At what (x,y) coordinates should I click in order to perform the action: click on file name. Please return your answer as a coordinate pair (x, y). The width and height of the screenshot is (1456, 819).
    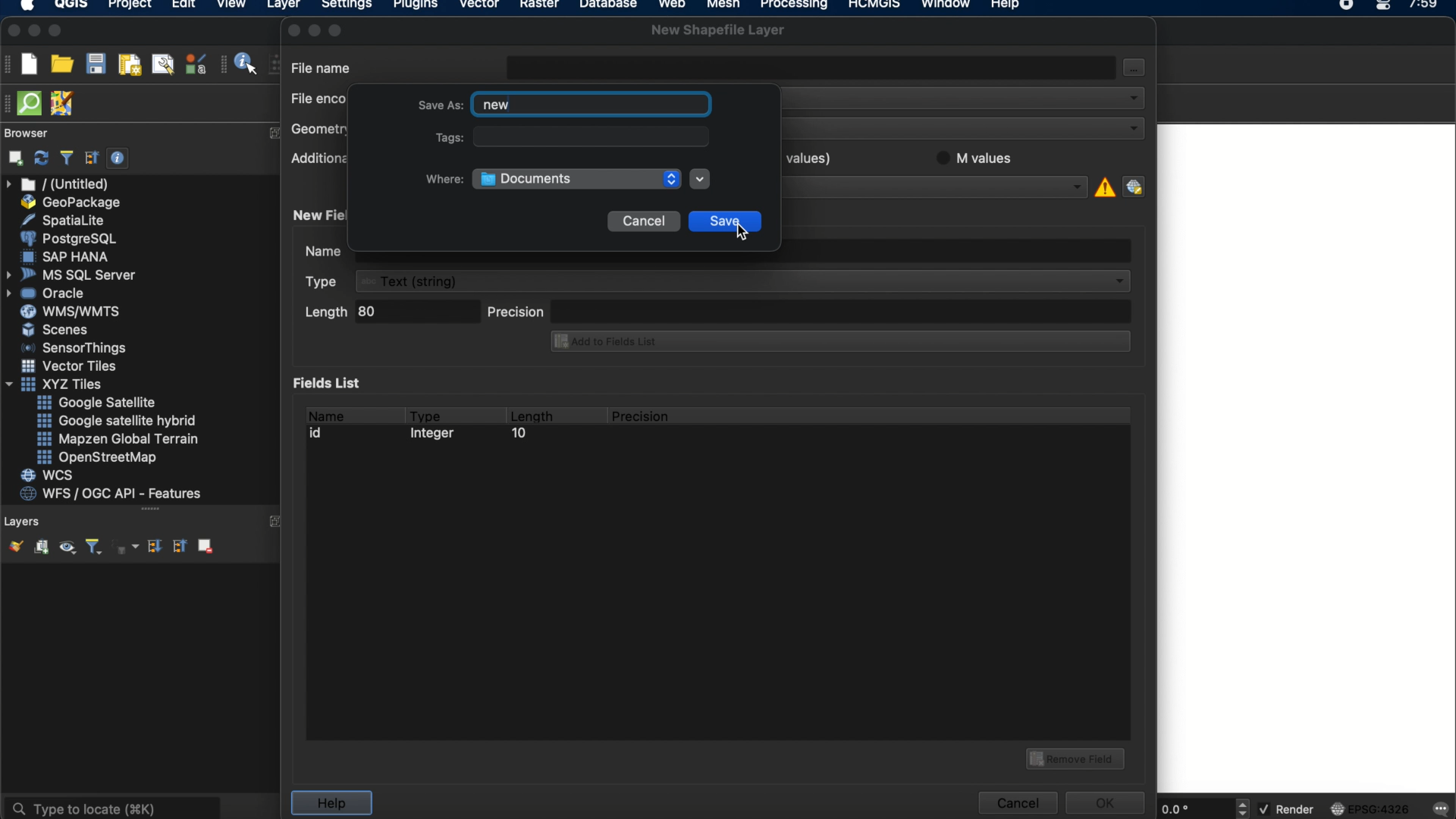
    Looking at the image, I should click on (322, 67).